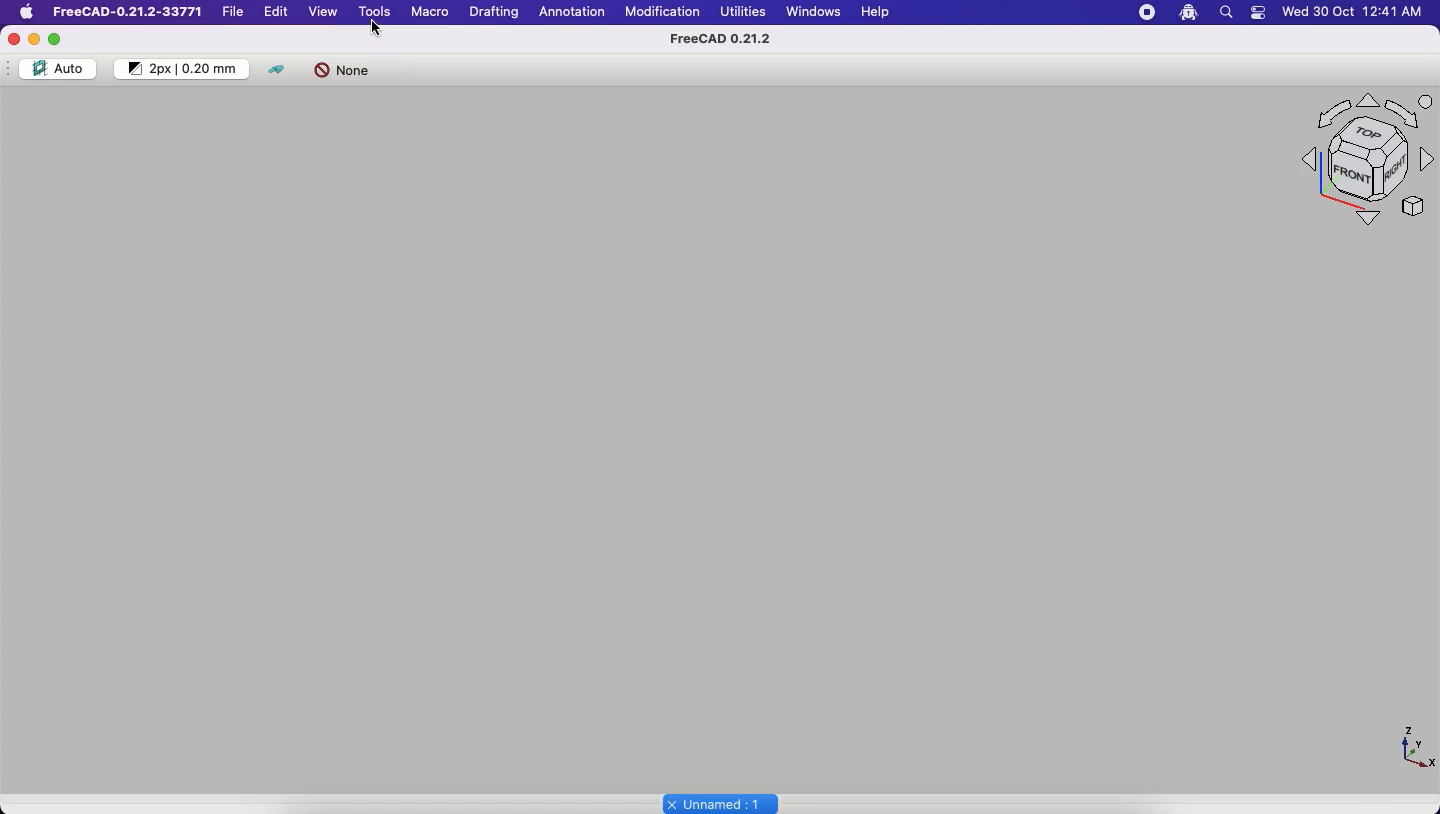 The height and width of the screenshot is (814, 1440). What do you see at coordinates (1187, 12) in the screenshot?
I see `Extension` at bounding box center [1187, 12].